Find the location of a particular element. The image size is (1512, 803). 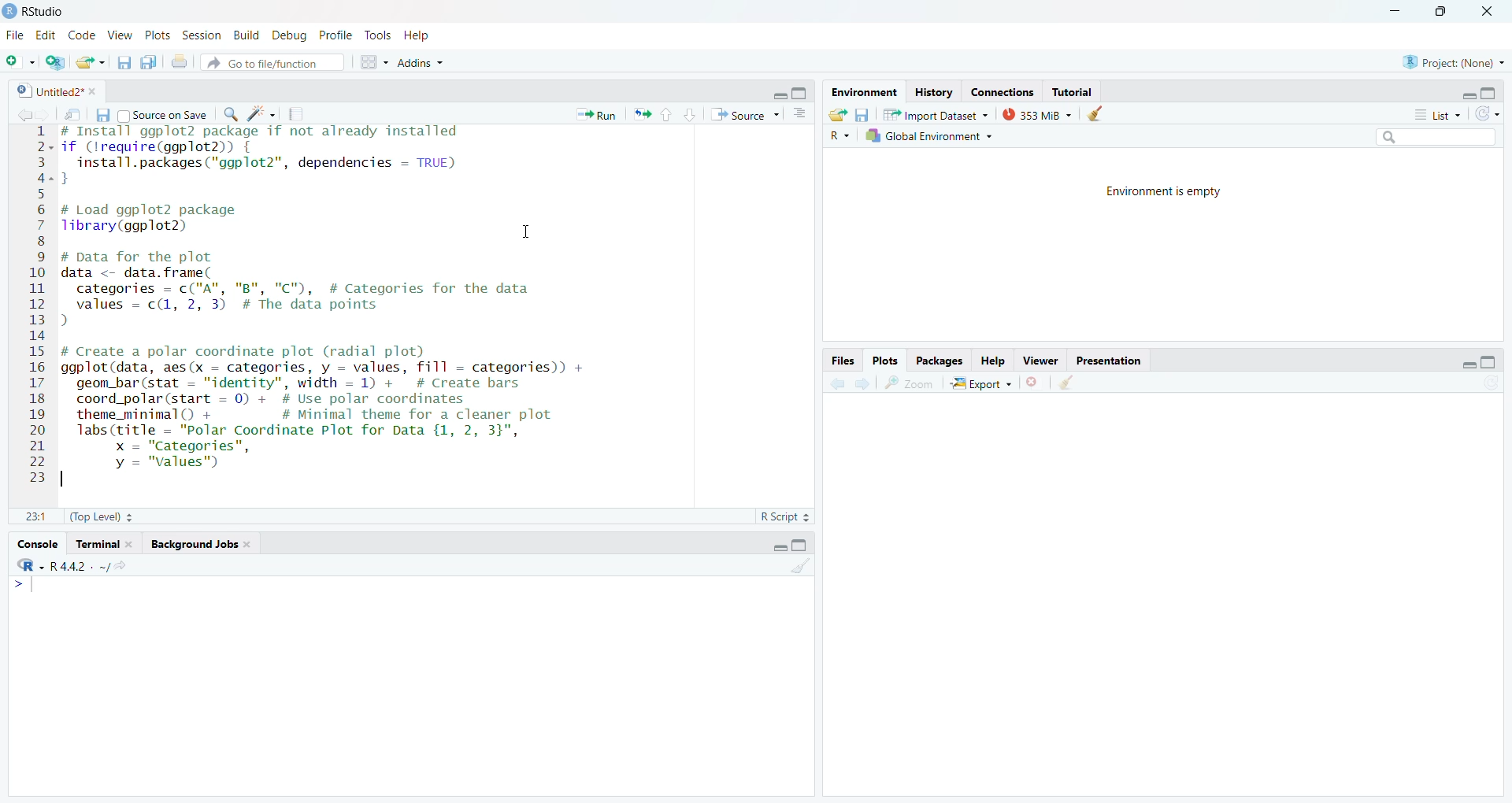

1234567891011121314151617181920212223 is located at coordinates (34, 305).